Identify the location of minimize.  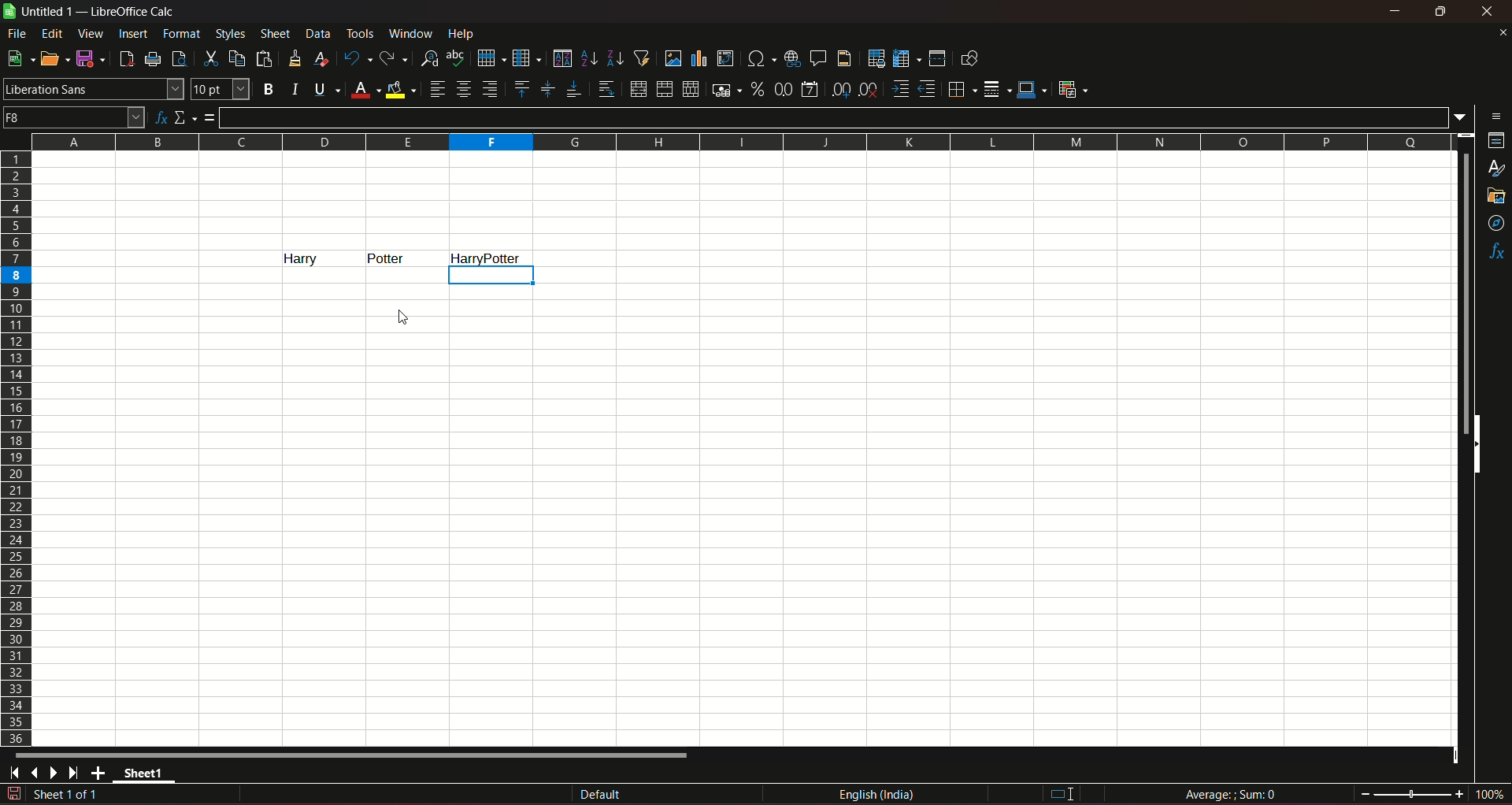
(1396, 11).